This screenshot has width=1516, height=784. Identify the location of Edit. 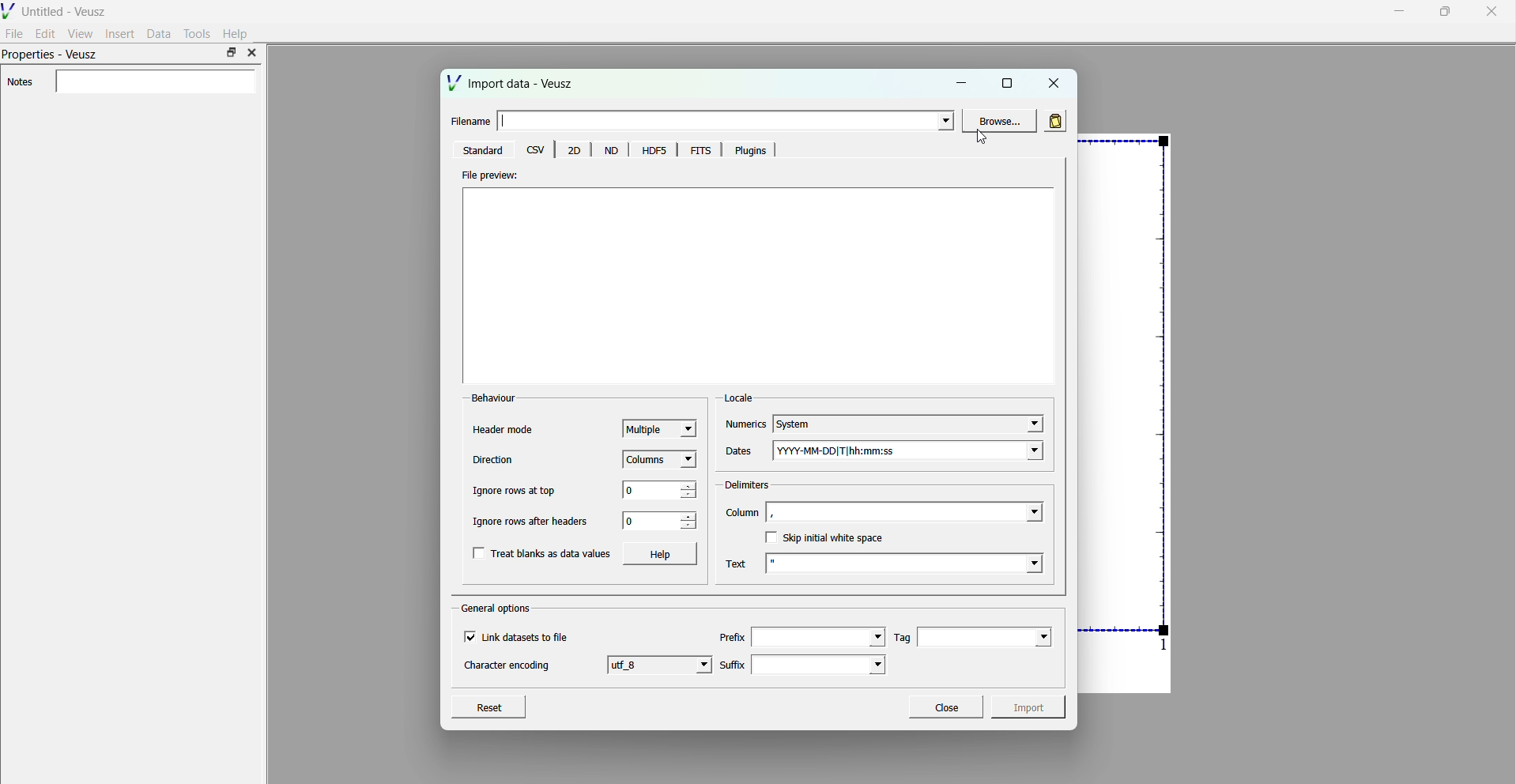
(46, 33).